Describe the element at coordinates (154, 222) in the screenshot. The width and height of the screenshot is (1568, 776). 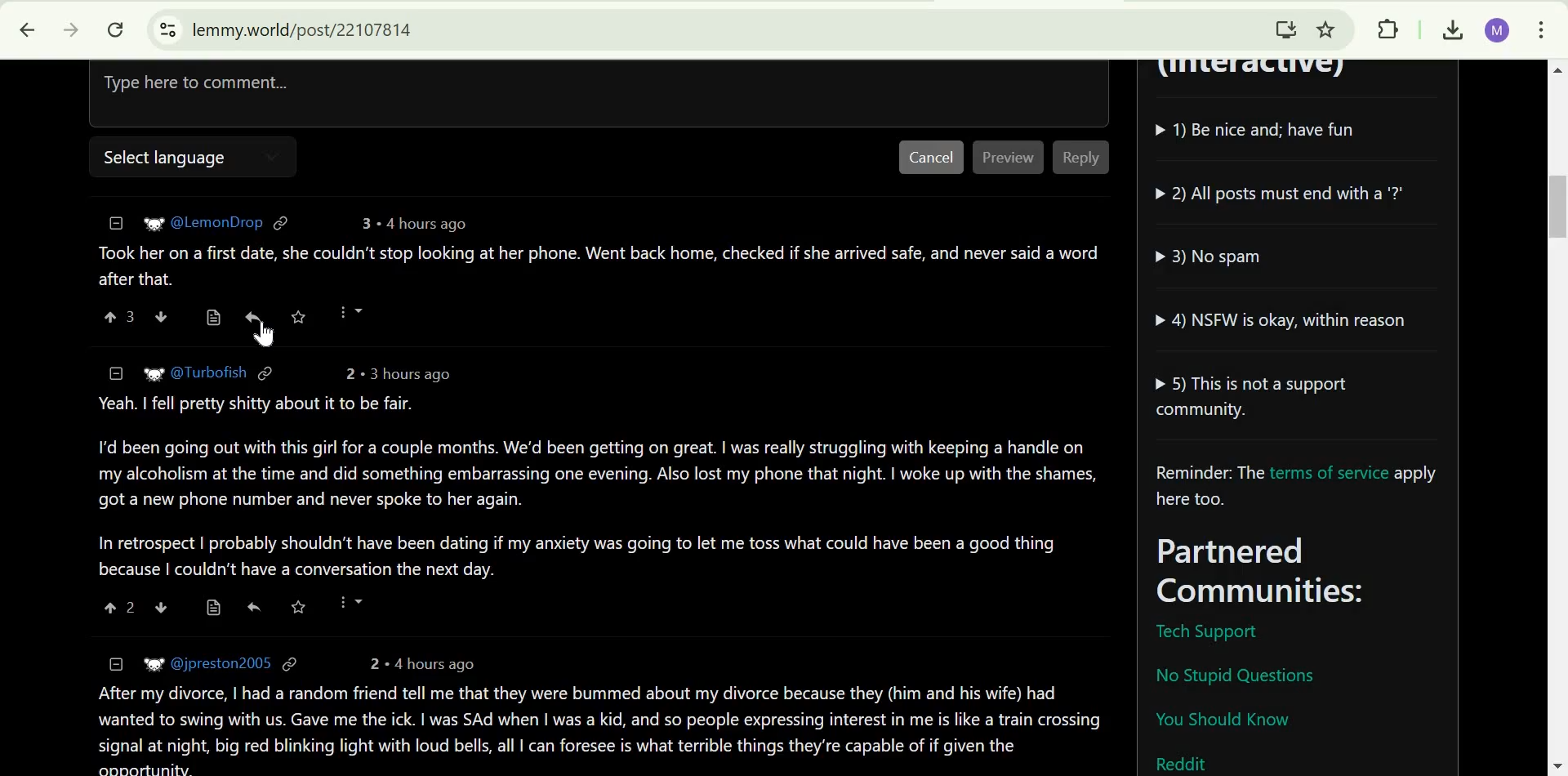
I see `picture` at that location.